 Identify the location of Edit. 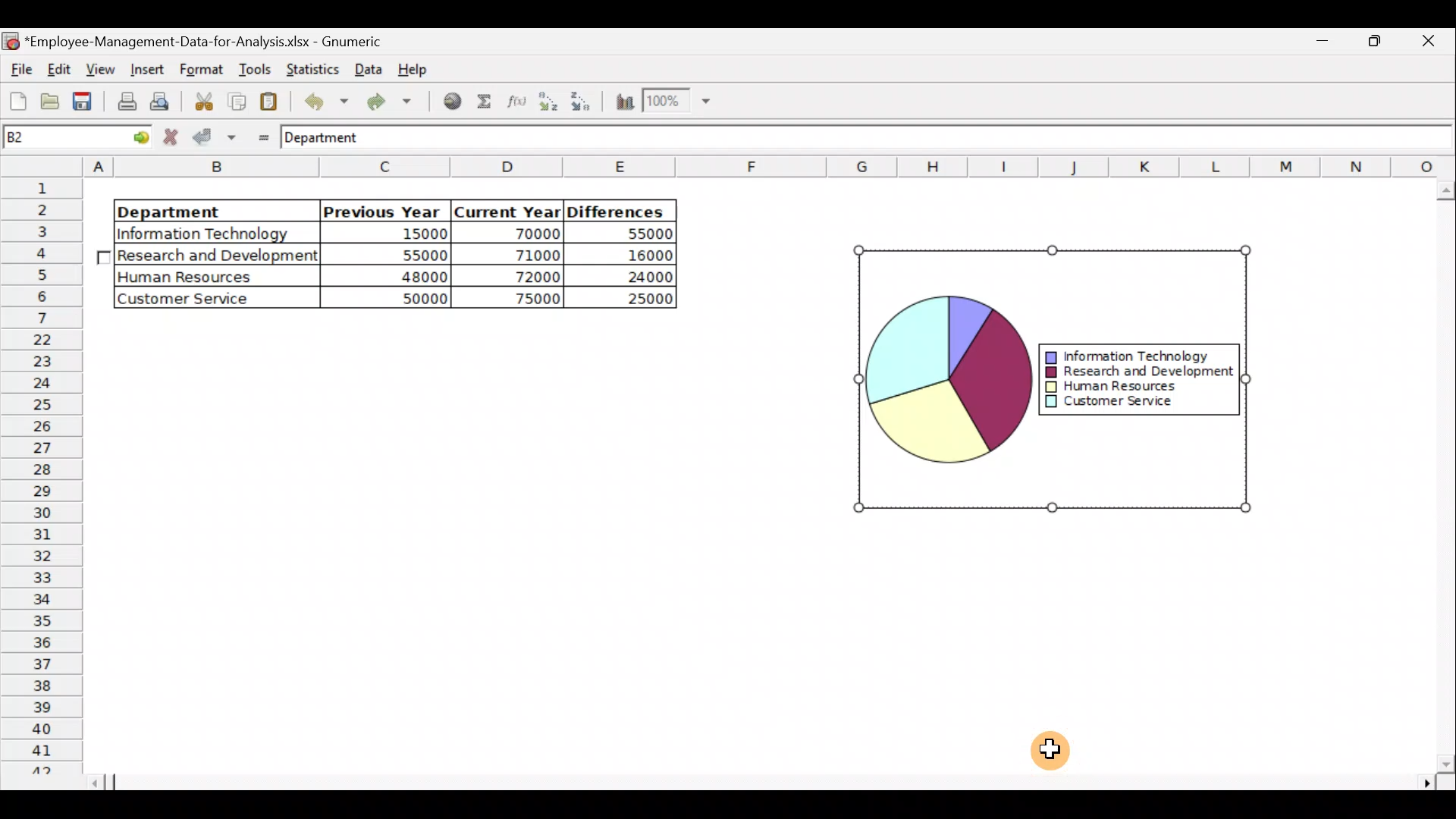
(61, 67).